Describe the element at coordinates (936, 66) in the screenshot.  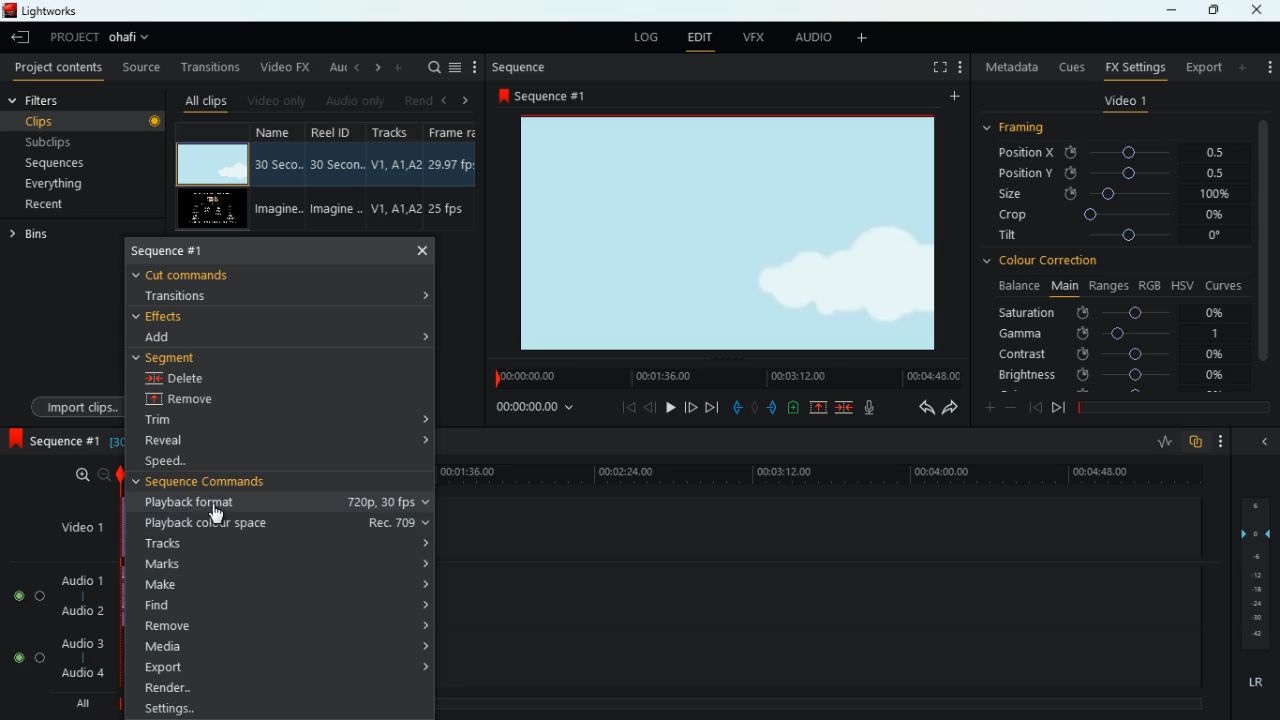
I see `full screen` at that location.